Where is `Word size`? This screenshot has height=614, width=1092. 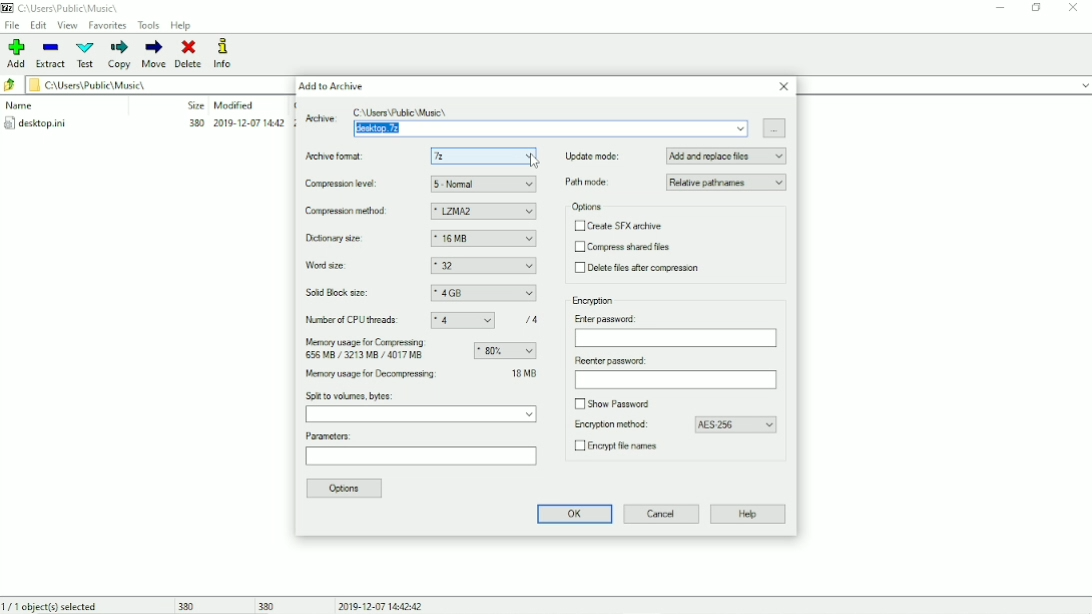
Word size is located at coordinates (422, 266).